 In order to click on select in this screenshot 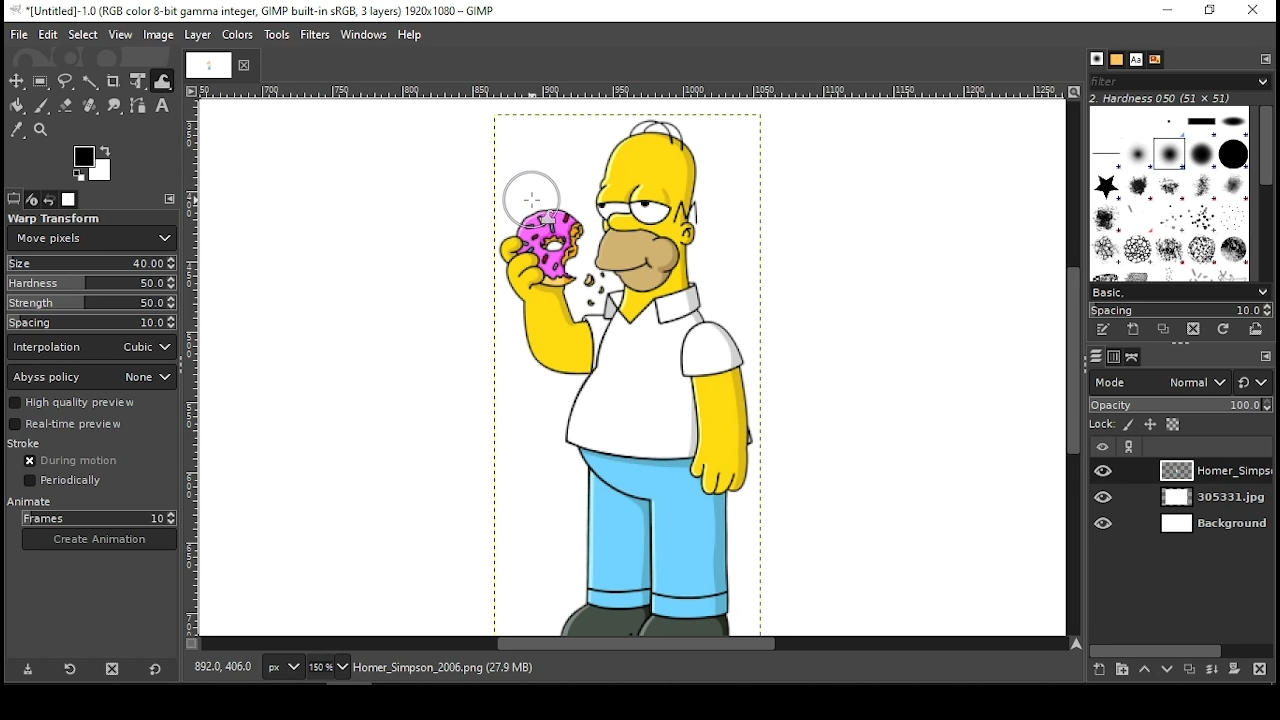, I will do `click(84, 34)`.